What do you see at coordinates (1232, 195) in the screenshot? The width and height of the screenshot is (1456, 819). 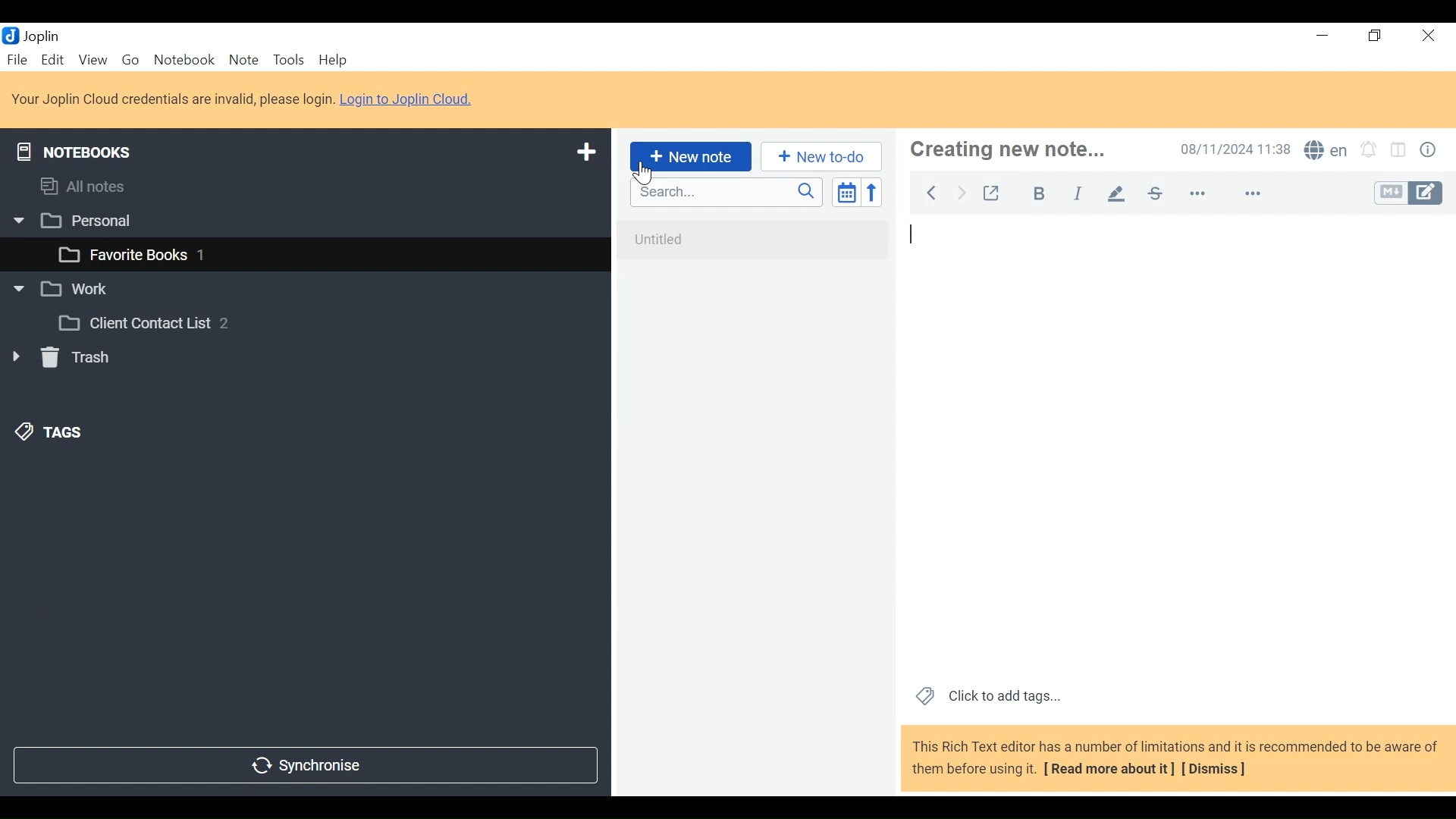 I see `more` at bounding box center [1232, 195].